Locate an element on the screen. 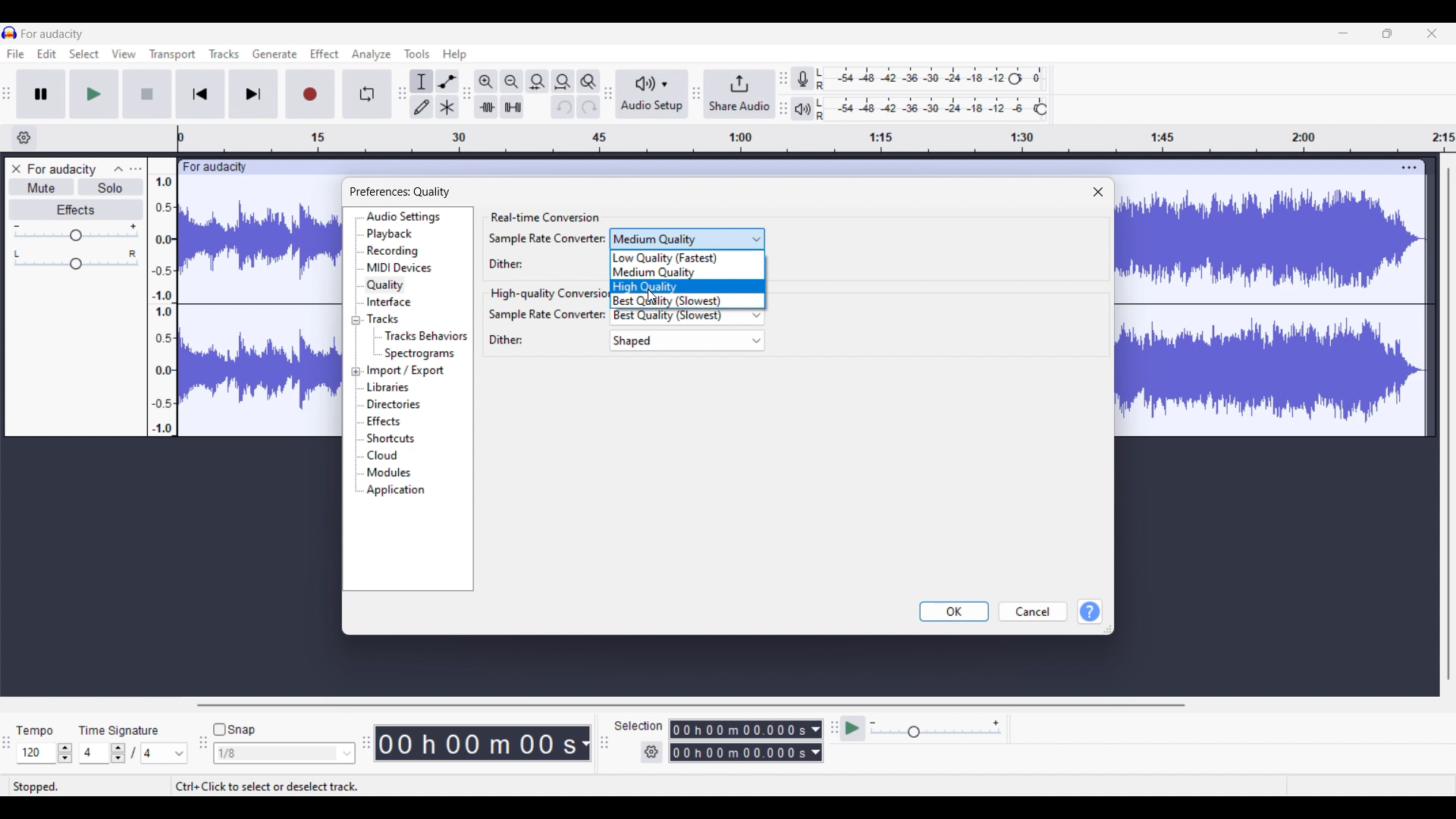 The image size is (1456, 819). Change dimension is located at coordinates (1107, 629).